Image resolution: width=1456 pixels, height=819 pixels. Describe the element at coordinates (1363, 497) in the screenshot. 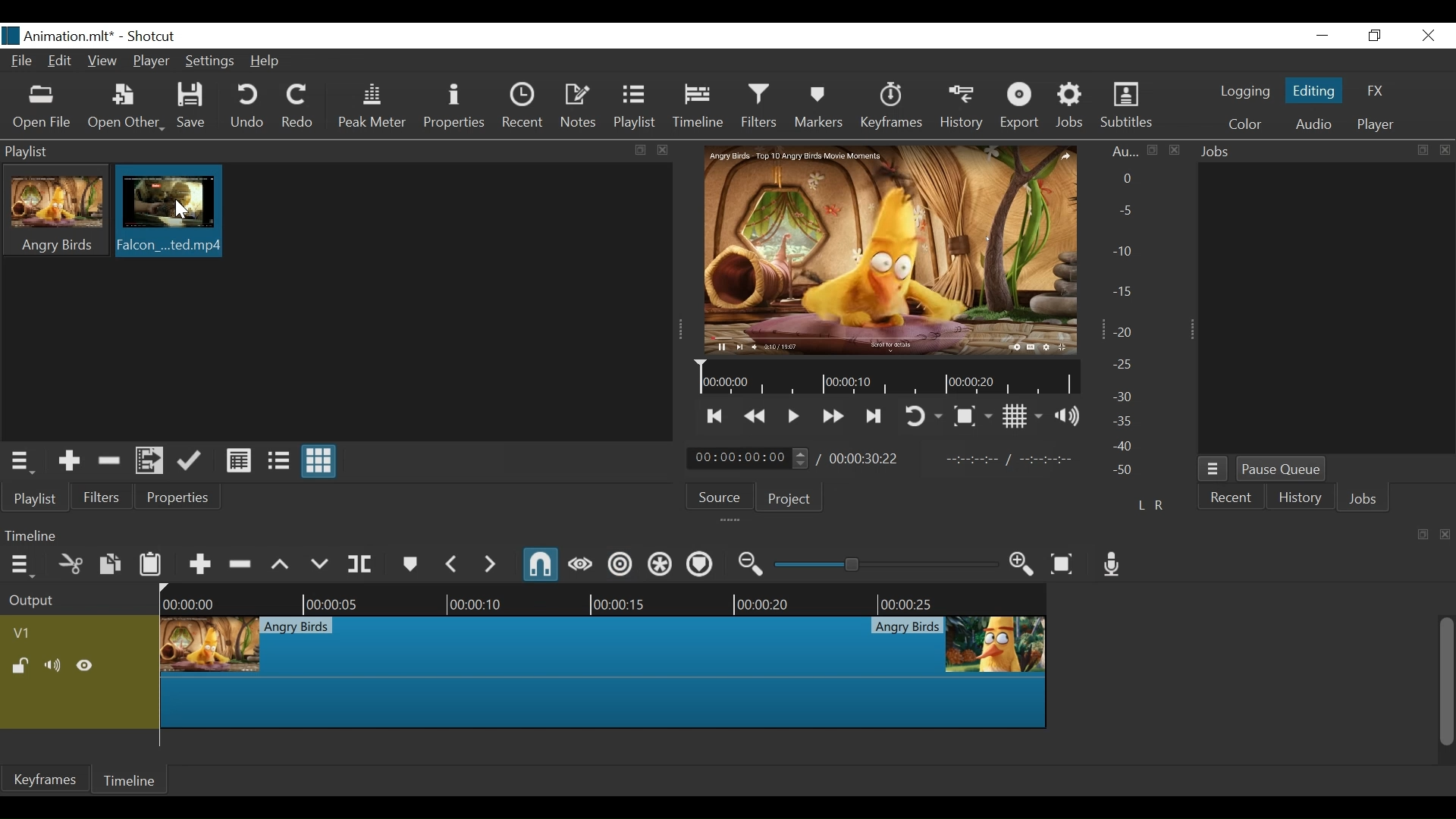

I see `Jobs ` at that location.